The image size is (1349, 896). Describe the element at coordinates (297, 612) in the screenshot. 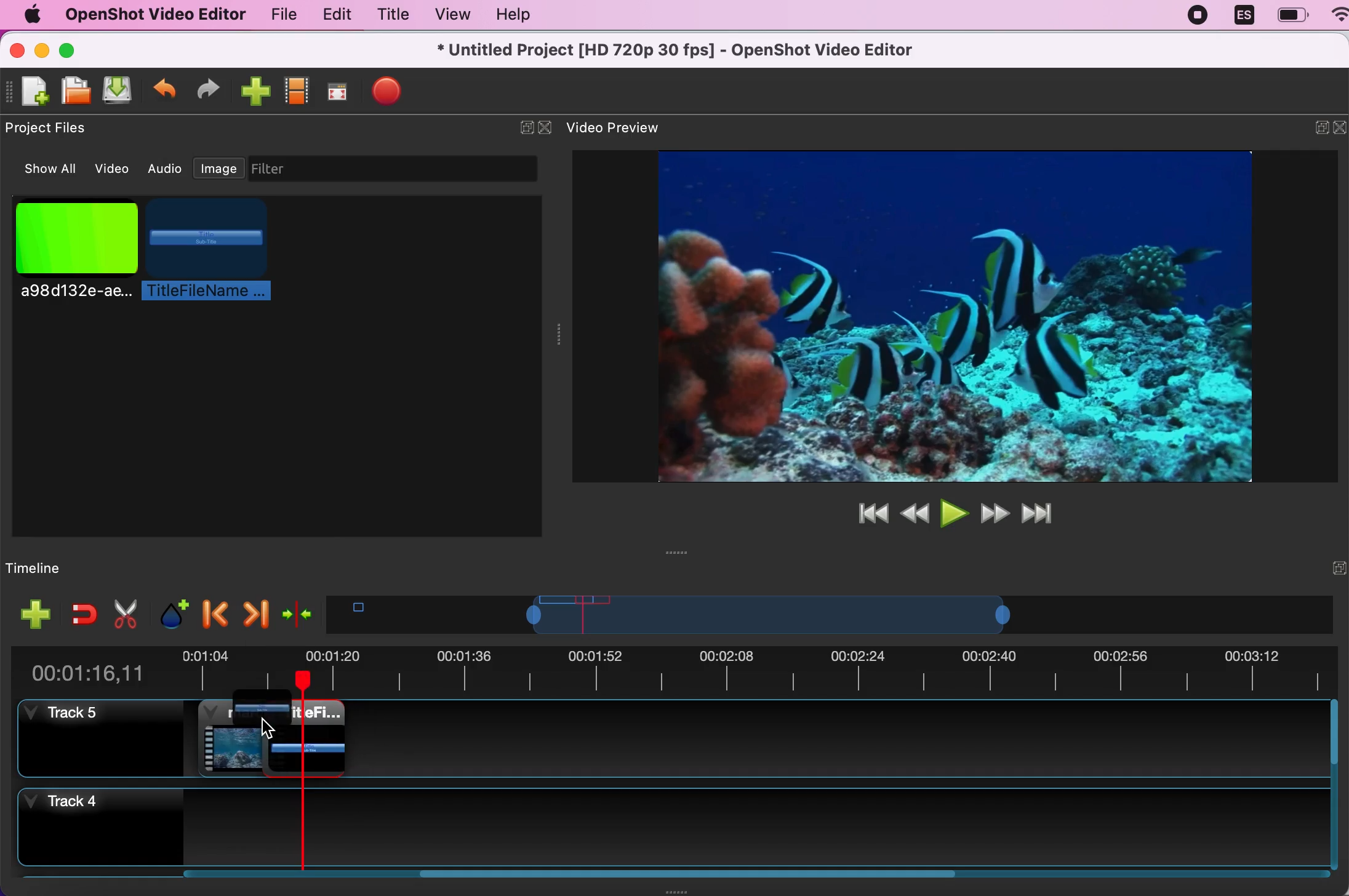

I see `center the timeline` at that location.